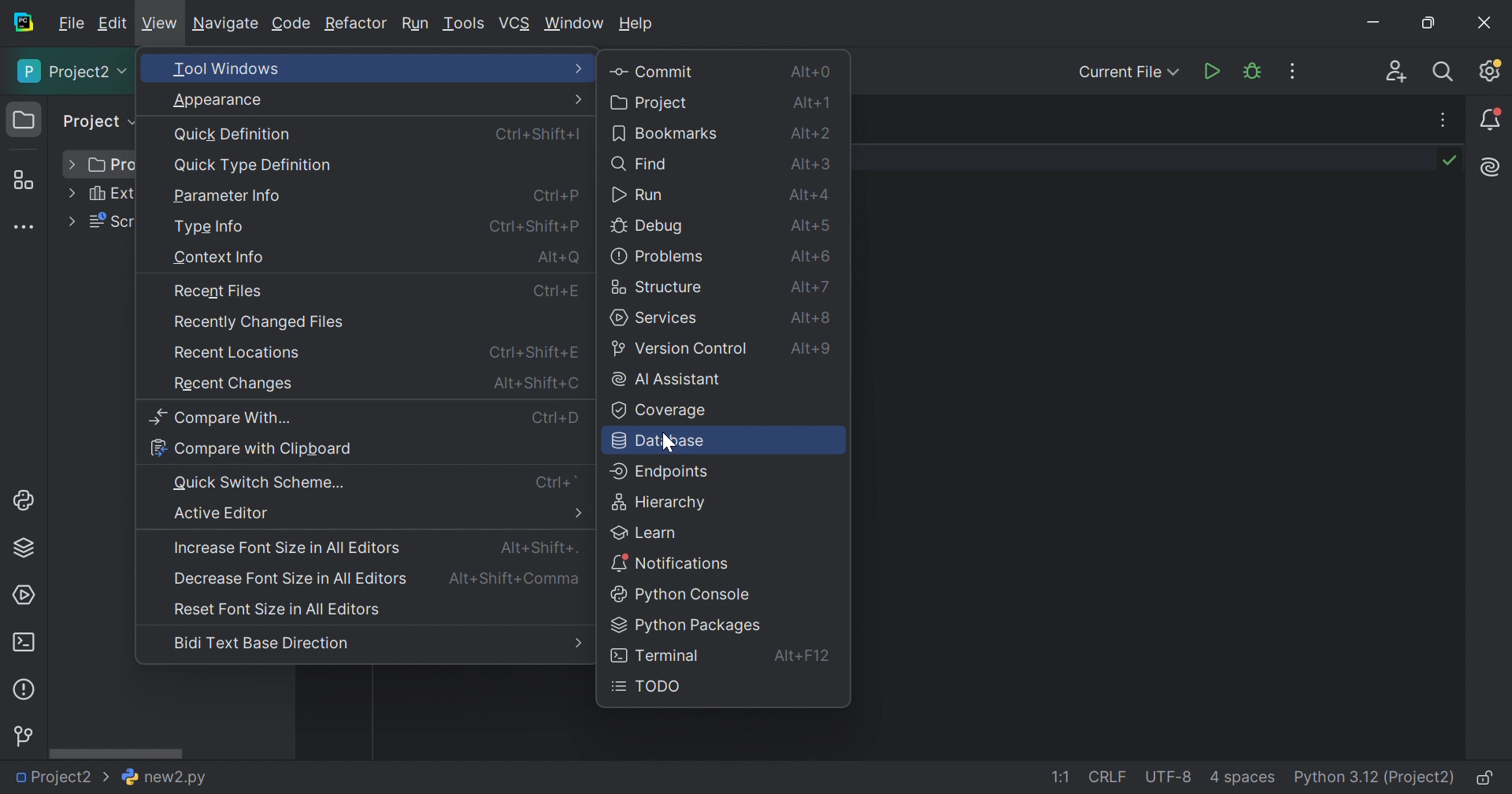 This screenshot has width=1512, height=794. What do you see at coordinates (222, 418) in the screenshot?
I see `Compare with...` at bounding box center [222, 418].